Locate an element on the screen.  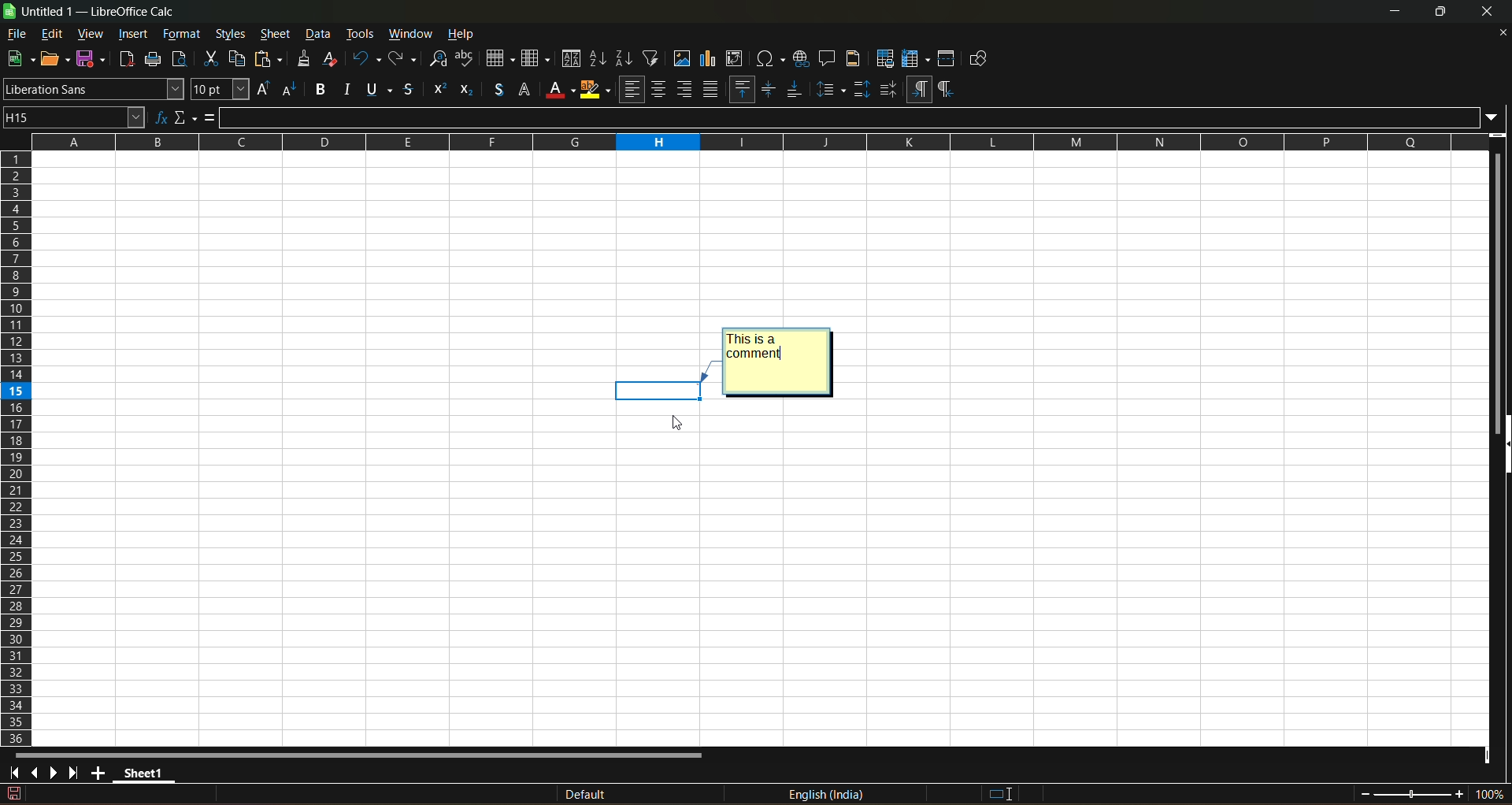
align left is located at coordinates (438, 90).